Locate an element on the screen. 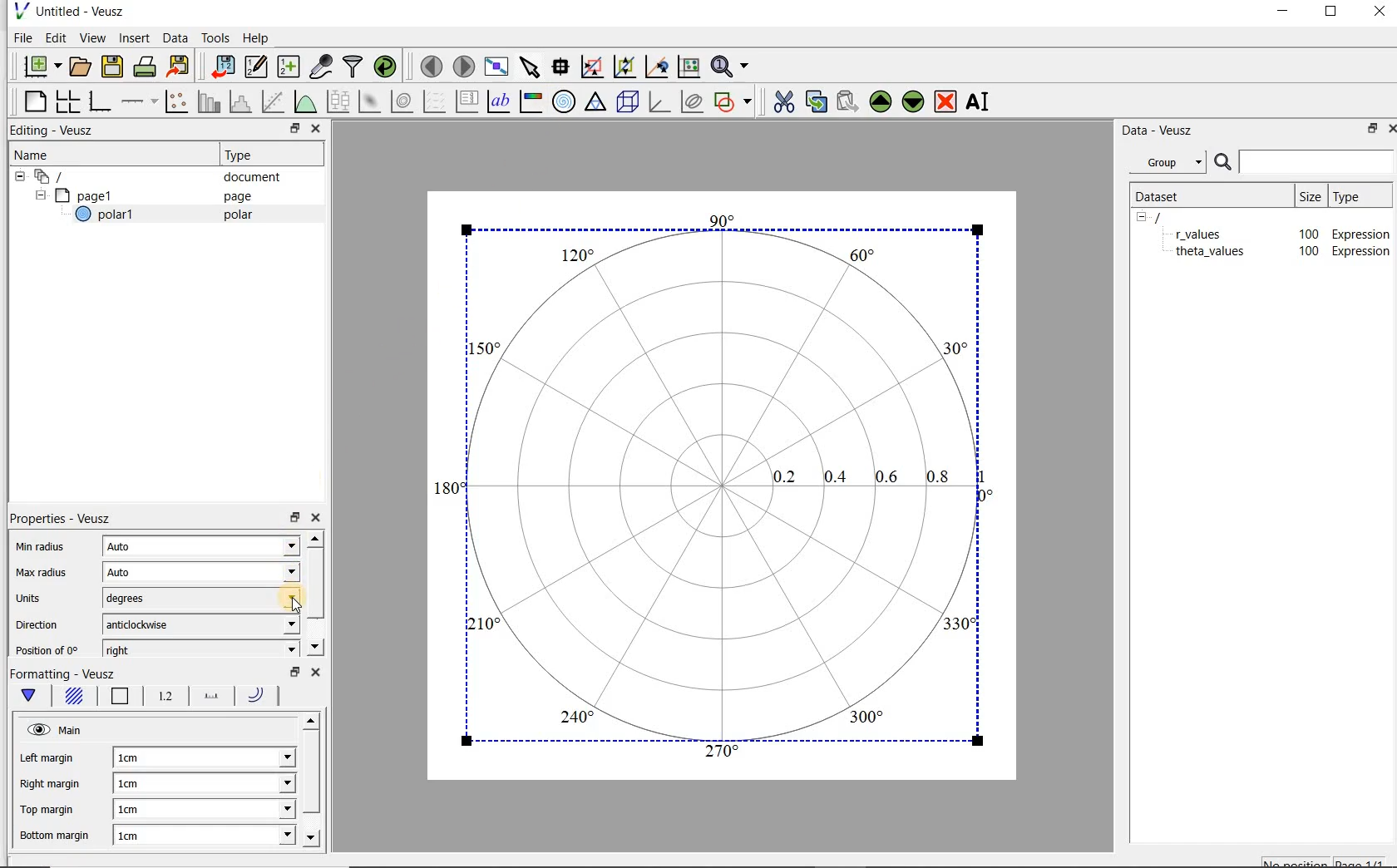 This screenshot has height=868, width=1397. Spoke line is located at coordinates (213, 698).